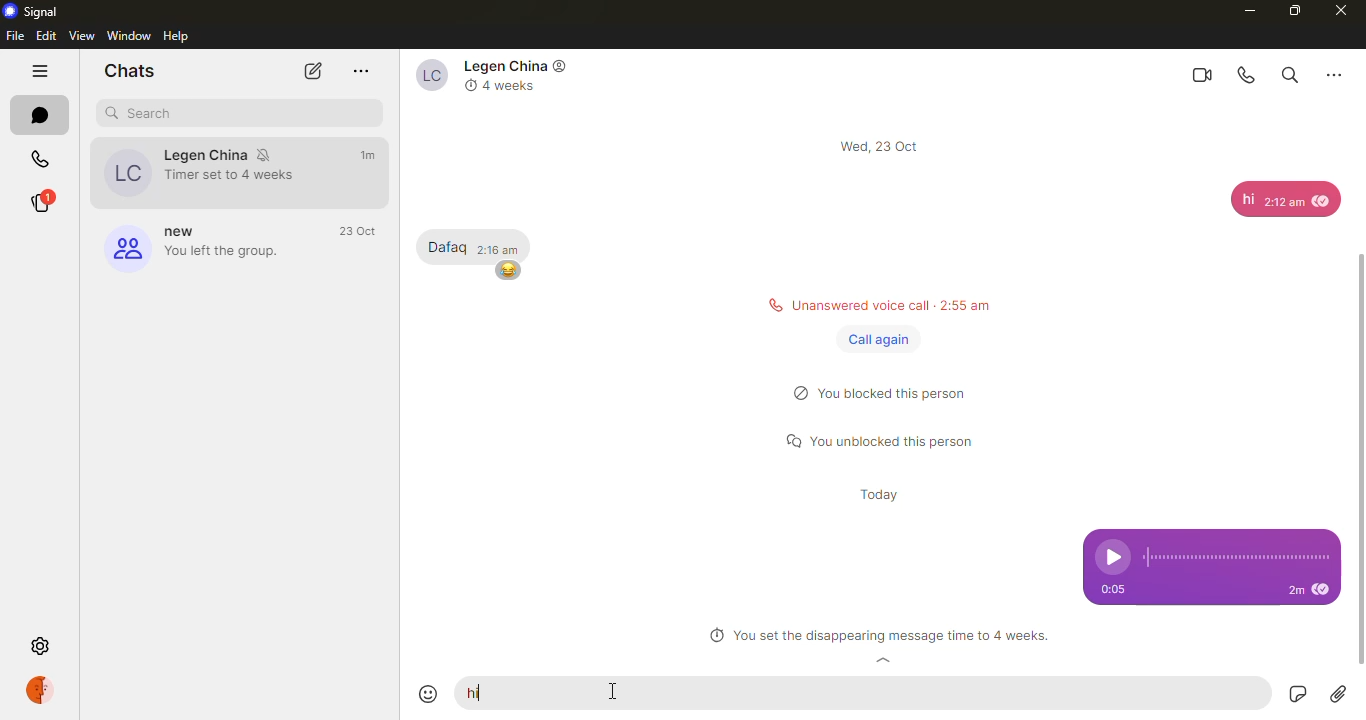 The width and height of the screenshot is (1366, 720). What do you see at coordinates (878, 637) in the screenshot?
I see `You set the disappearing message time to 4 weeks.` at bounding box center [878, 637].